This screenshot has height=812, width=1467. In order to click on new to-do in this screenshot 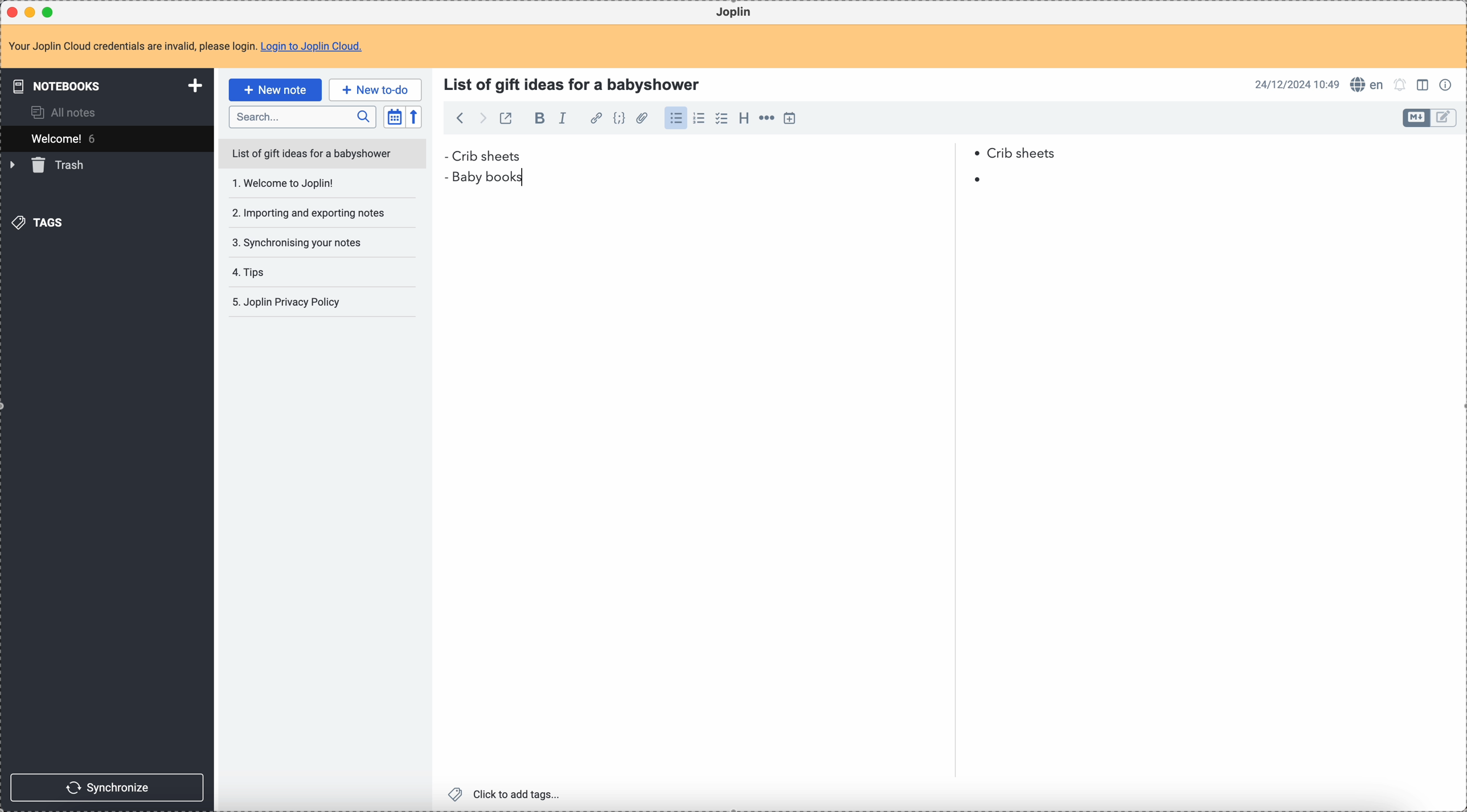, I will do `click(375, 89)`.